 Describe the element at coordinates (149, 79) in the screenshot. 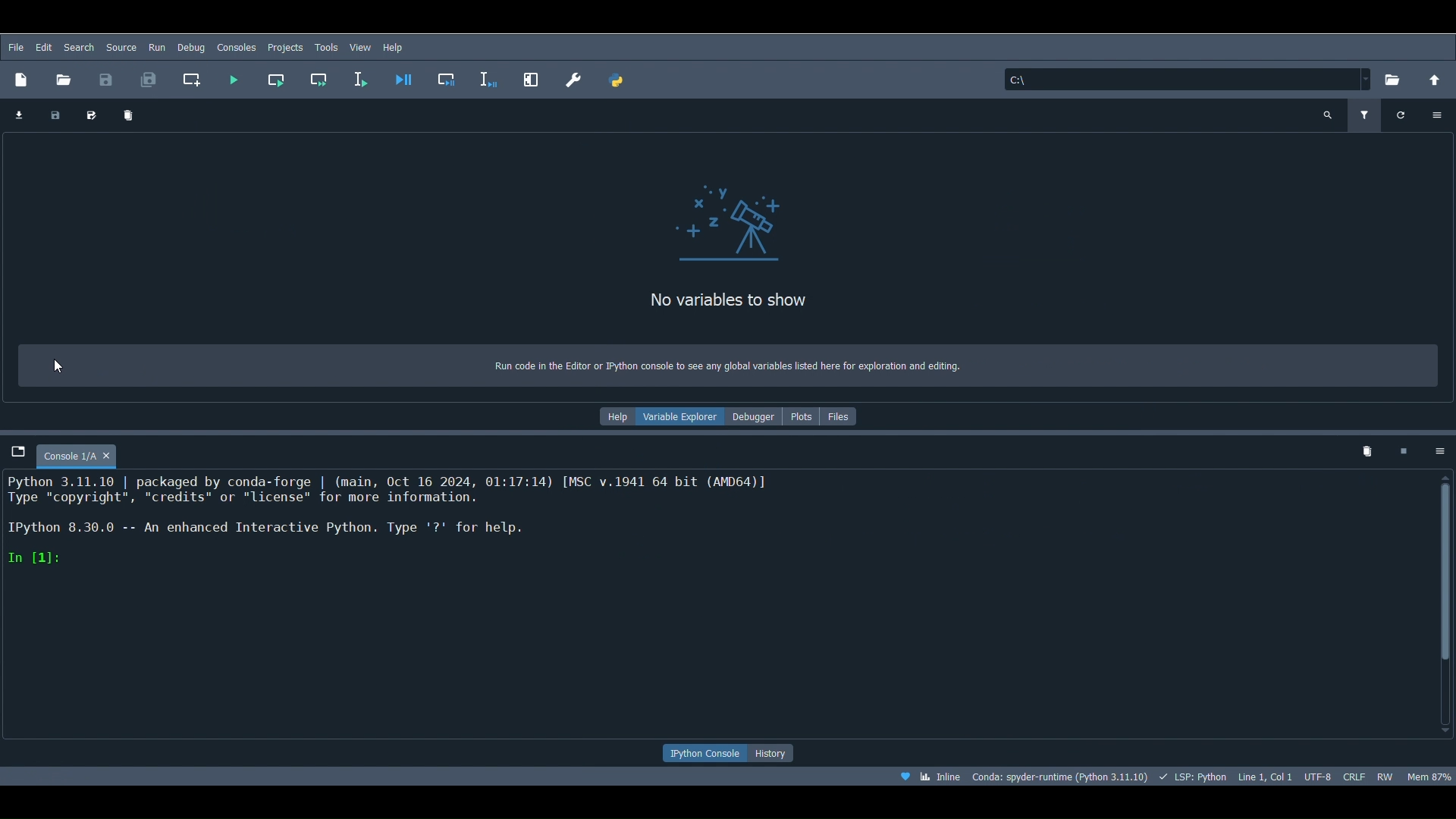

I see `Save all files (Ctrl + Alt + S)` at that location.